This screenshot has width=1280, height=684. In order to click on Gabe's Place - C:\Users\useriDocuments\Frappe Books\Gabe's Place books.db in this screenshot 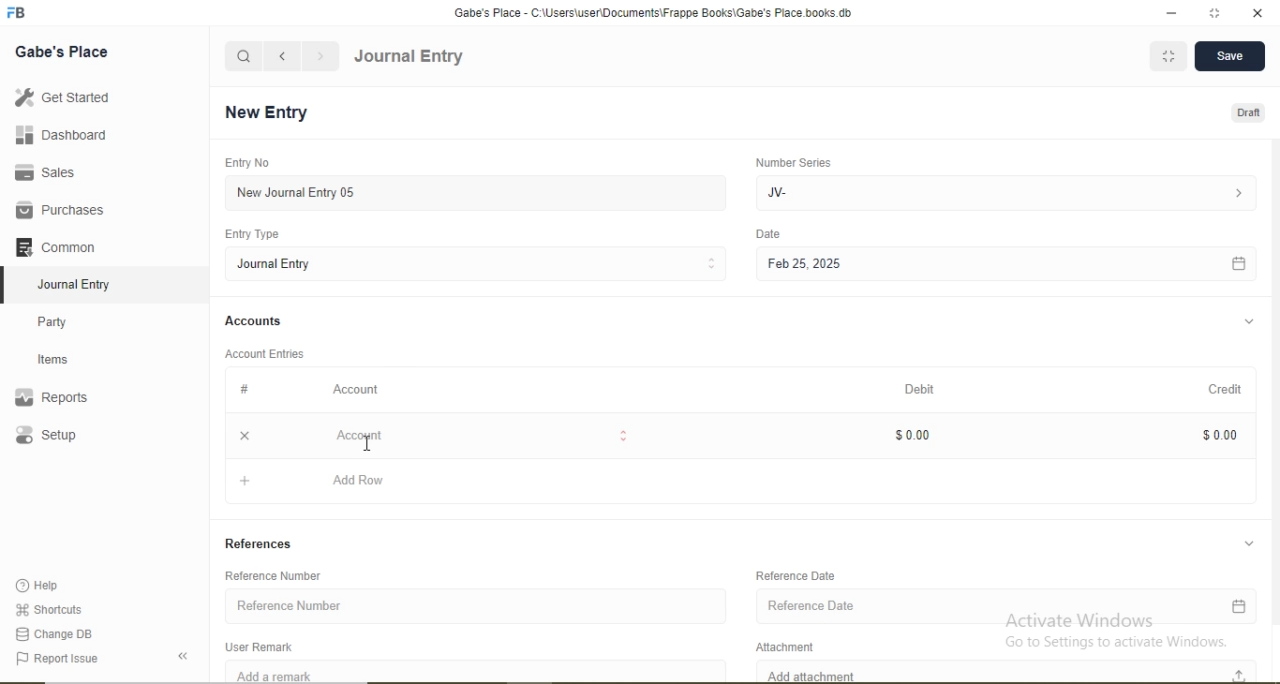, I will do `click(655, 12)`.